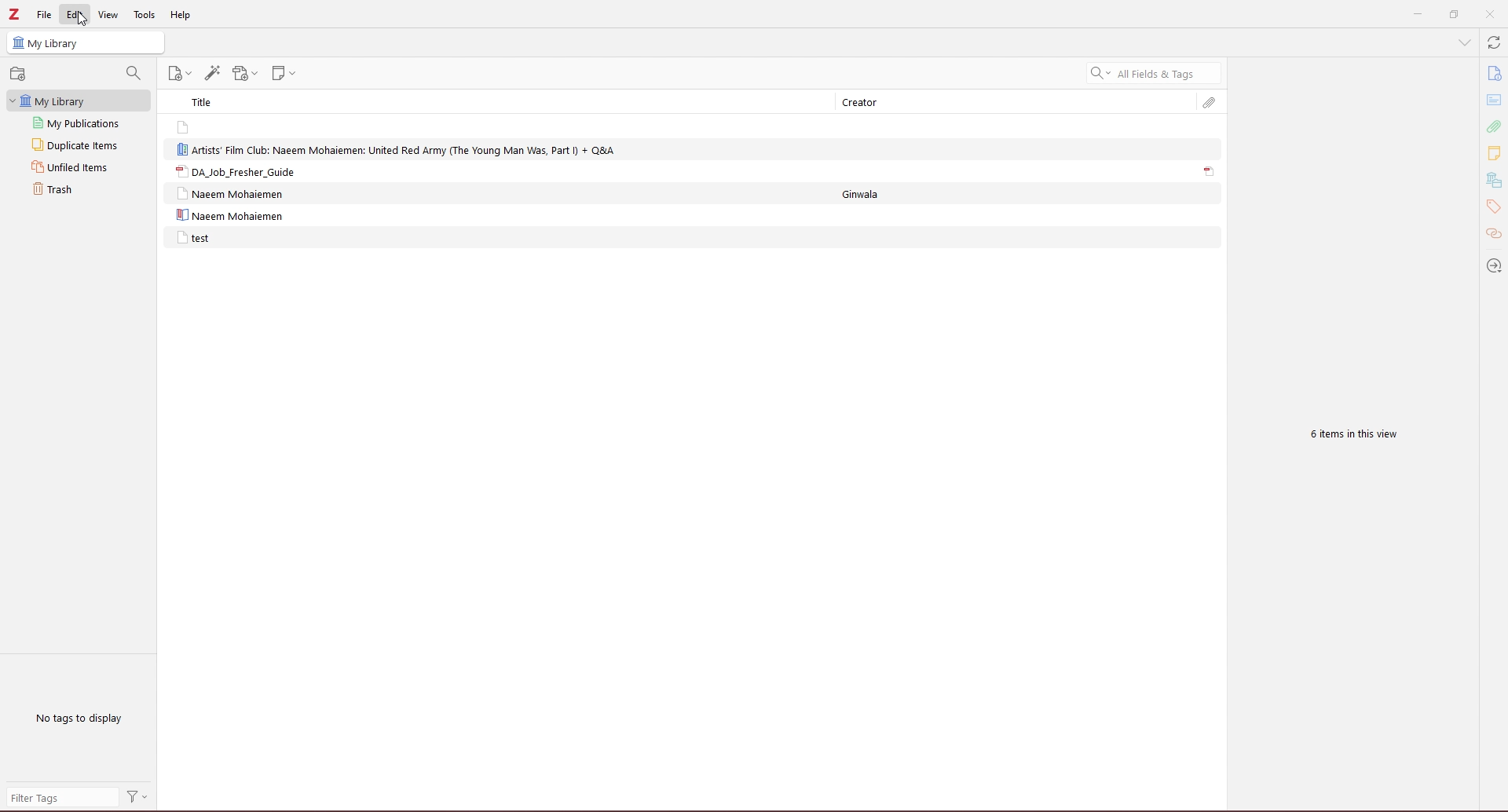 The width and height of the screenshot is (1508, 812). I want to click on related, so click(1494, 235).